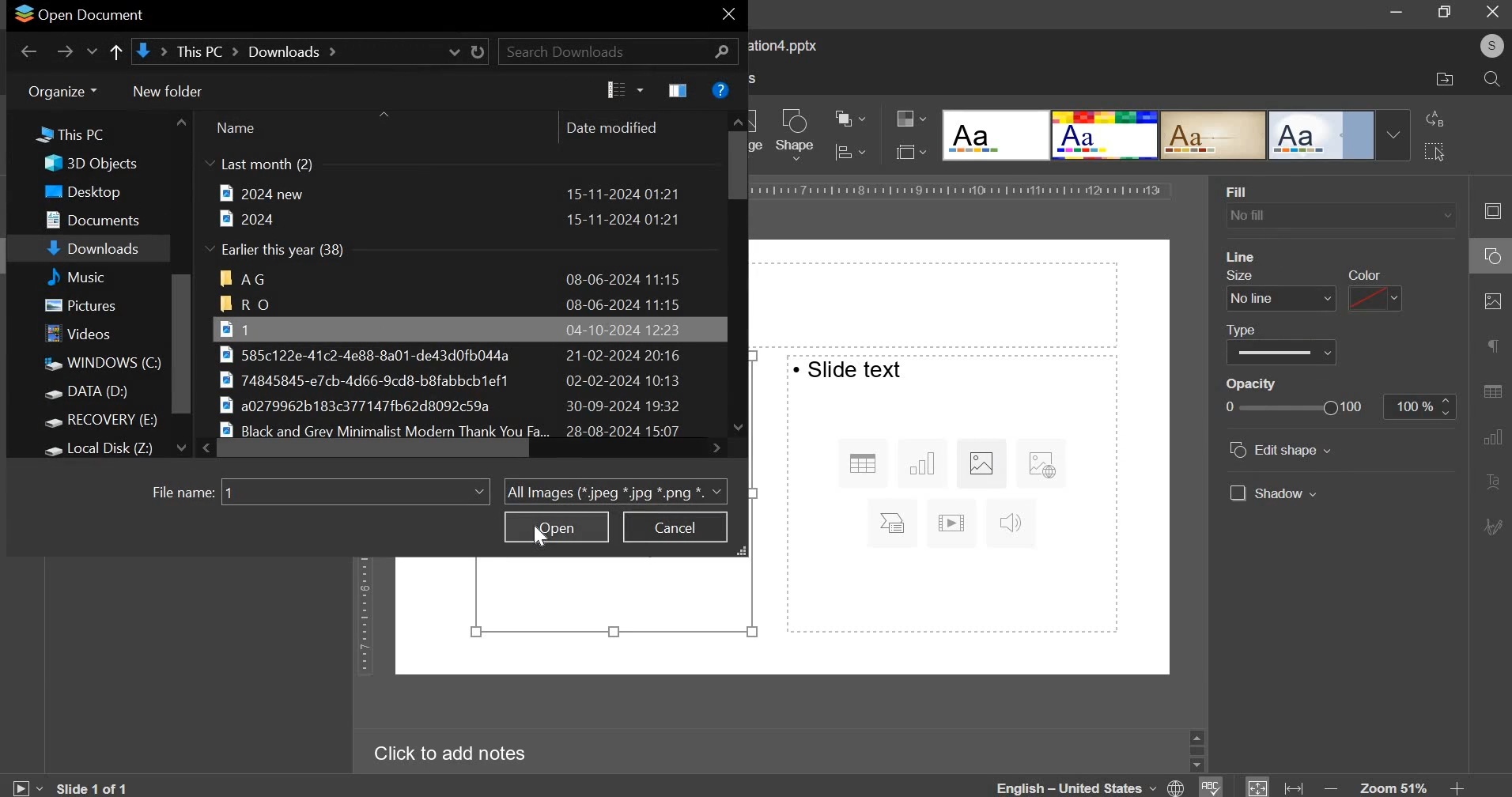 This screenshot has width=1512, height=797. Describe the element at coordinates (735, 271) in the screenshot. I see `vertical slider` at that location.